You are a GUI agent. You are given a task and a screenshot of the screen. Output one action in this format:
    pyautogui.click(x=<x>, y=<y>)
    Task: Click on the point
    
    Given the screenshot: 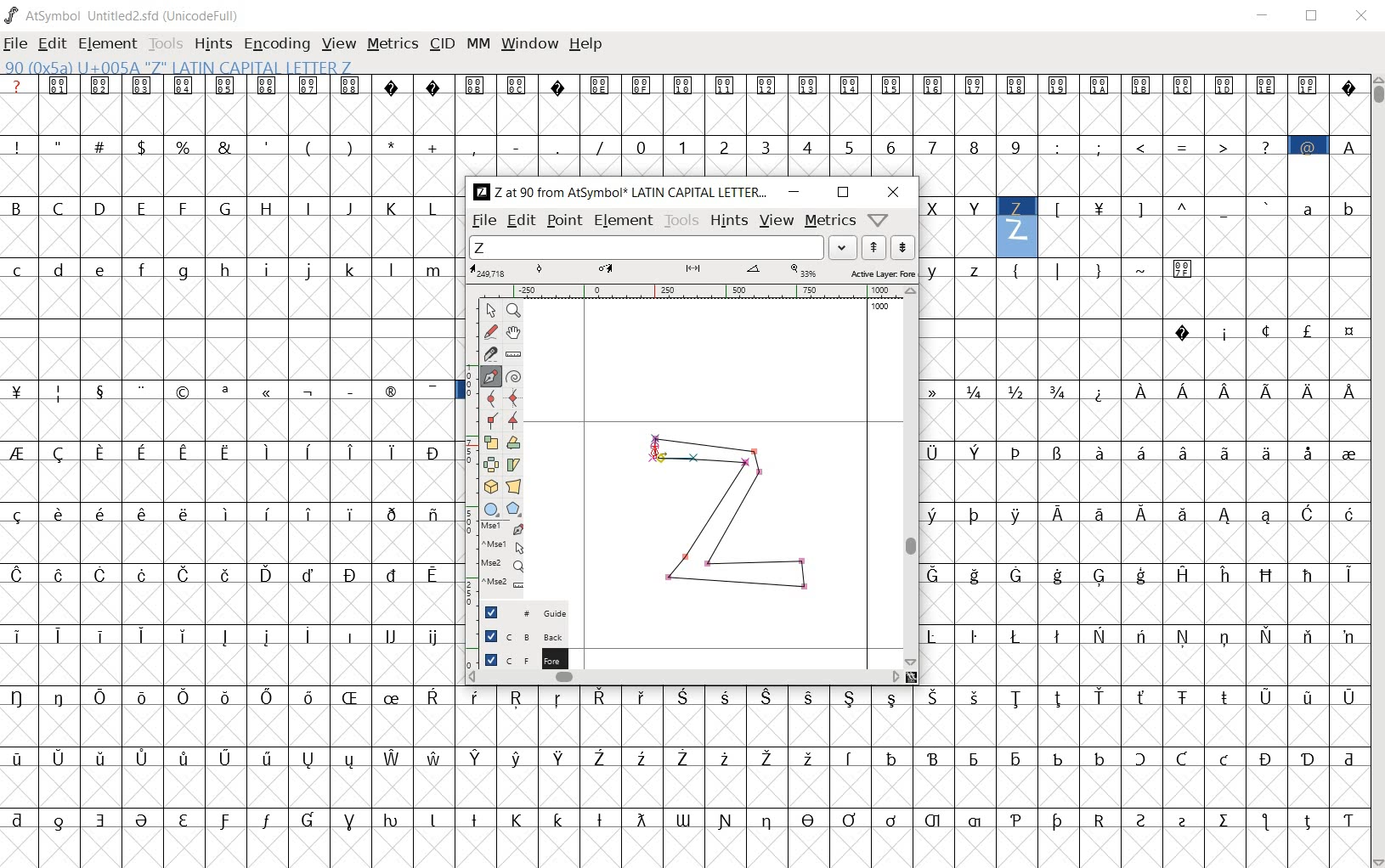 What is the action you would take?
    pyautogui.click(x=564, y=222)
    